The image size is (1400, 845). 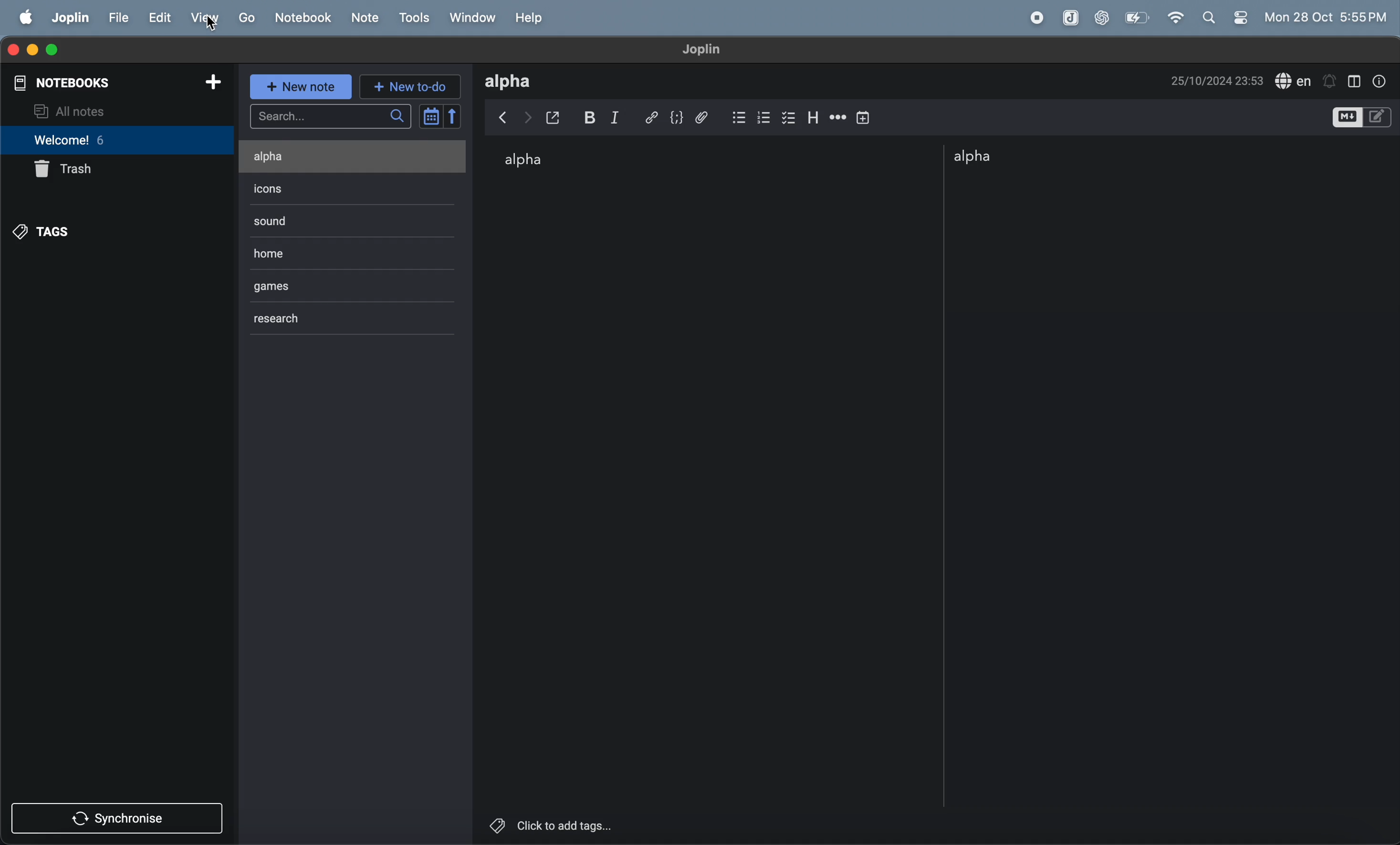 I want to click on All notes, so click(x=114, y=111).